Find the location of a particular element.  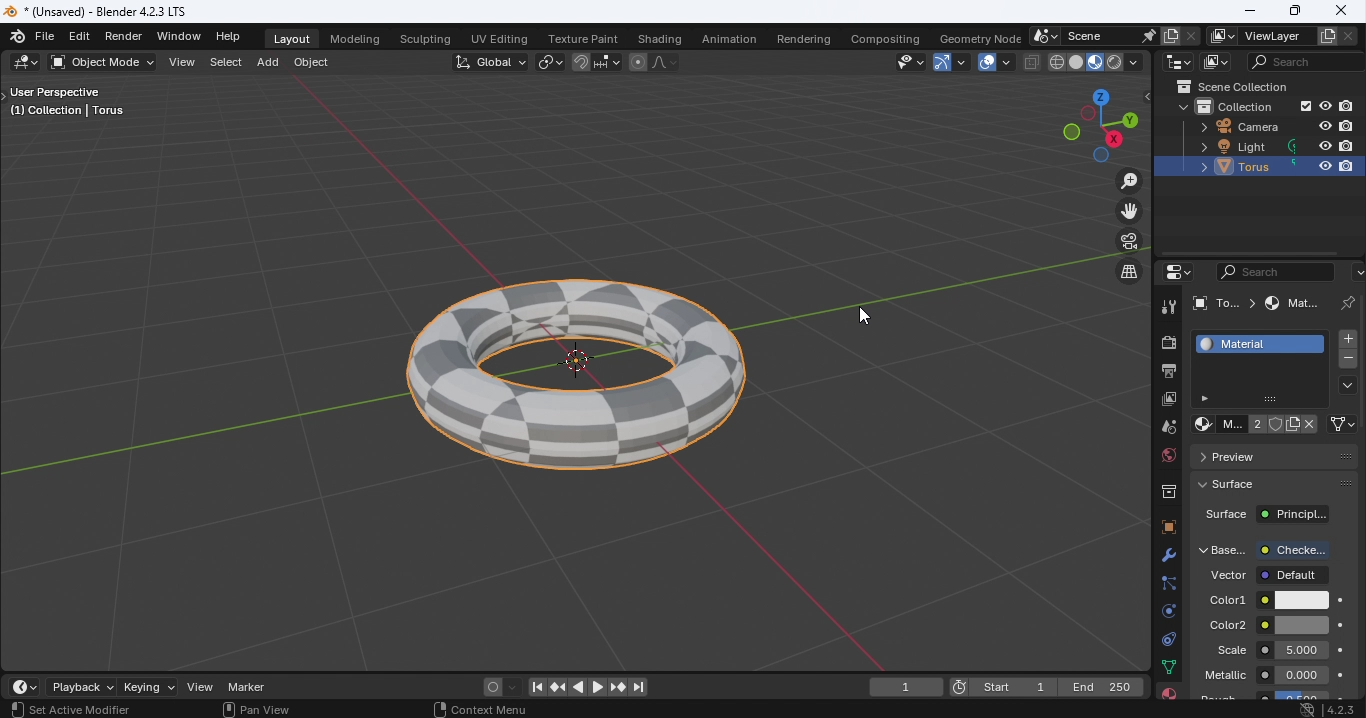

Browse scene to be linked is located at coordinates (1044, 36).